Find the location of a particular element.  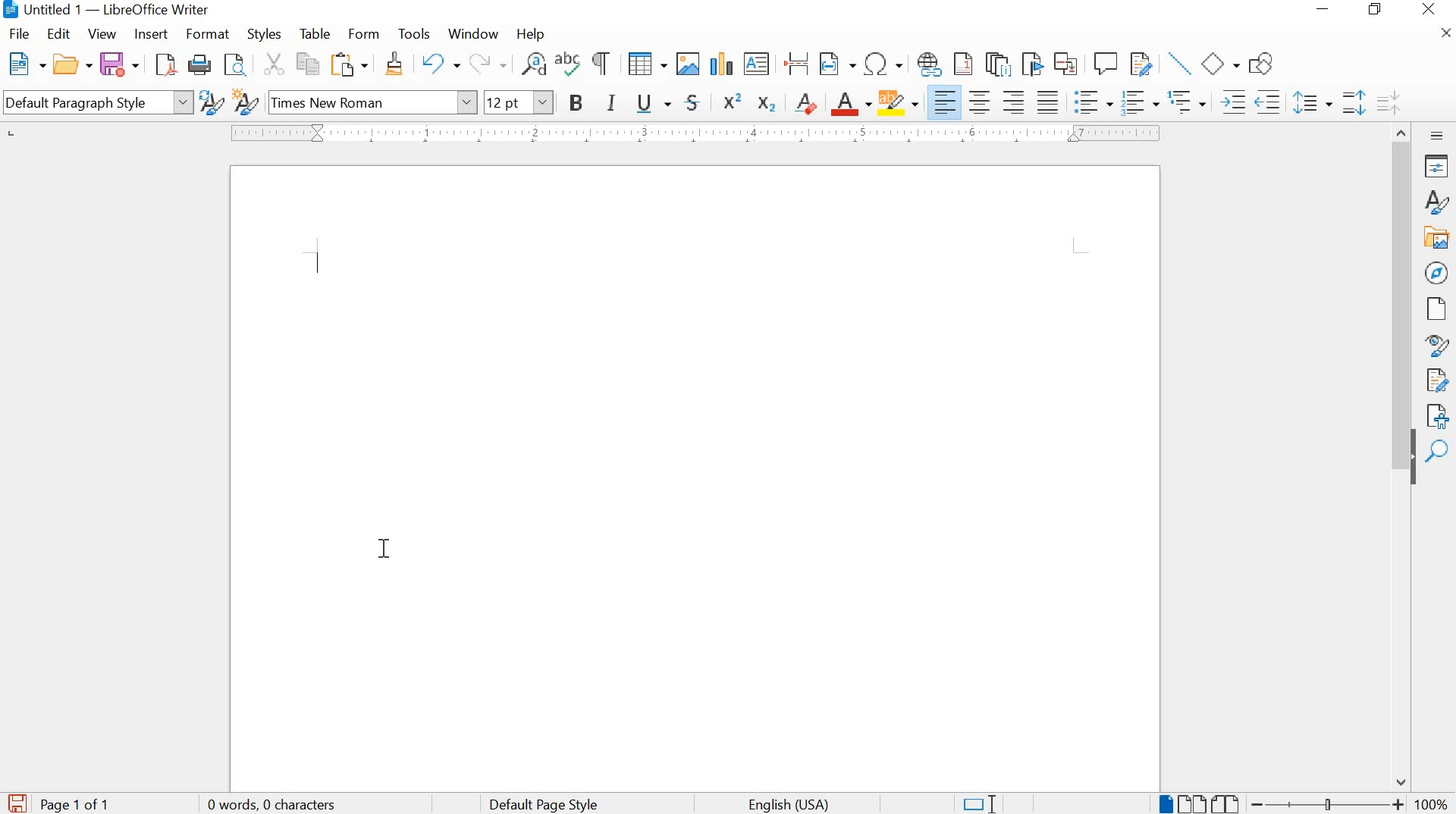

TEXT LANGUAGE is located at coordinates (797, 803).